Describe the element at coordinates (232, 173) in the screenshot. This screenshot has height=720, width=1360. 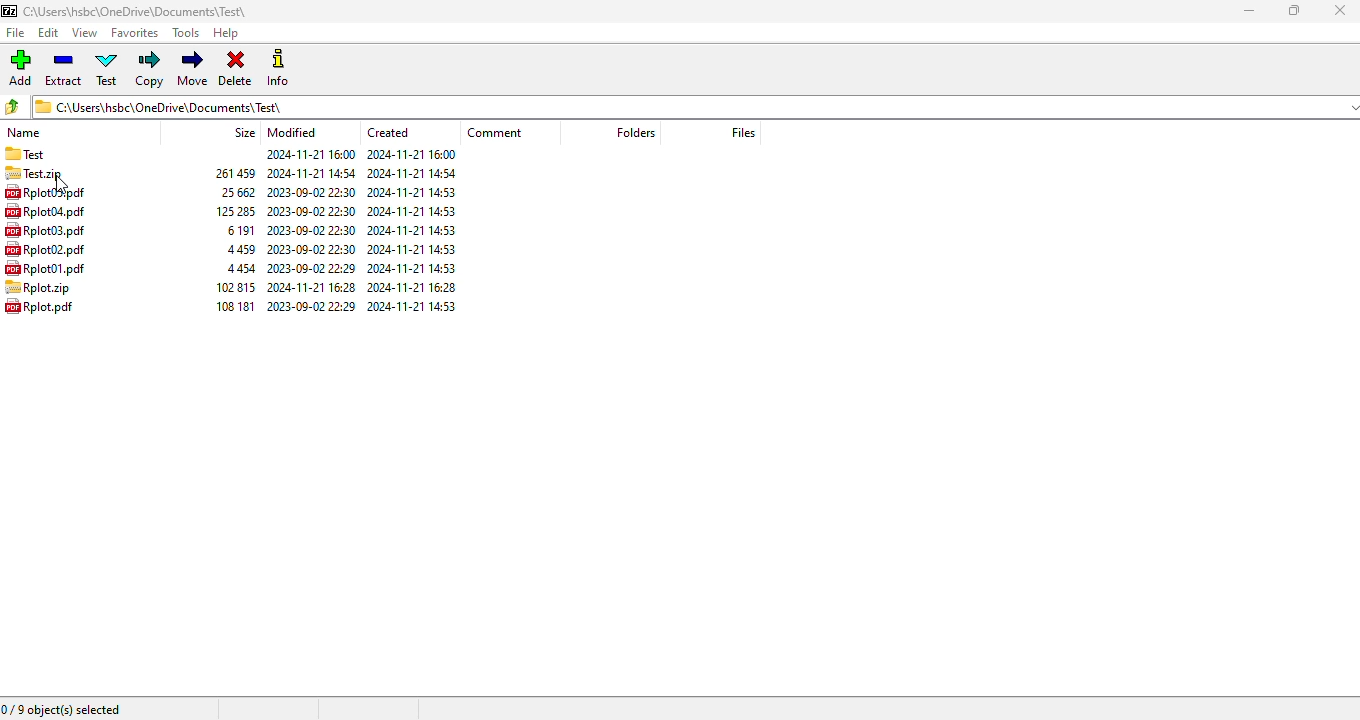
I see `size` at that location.